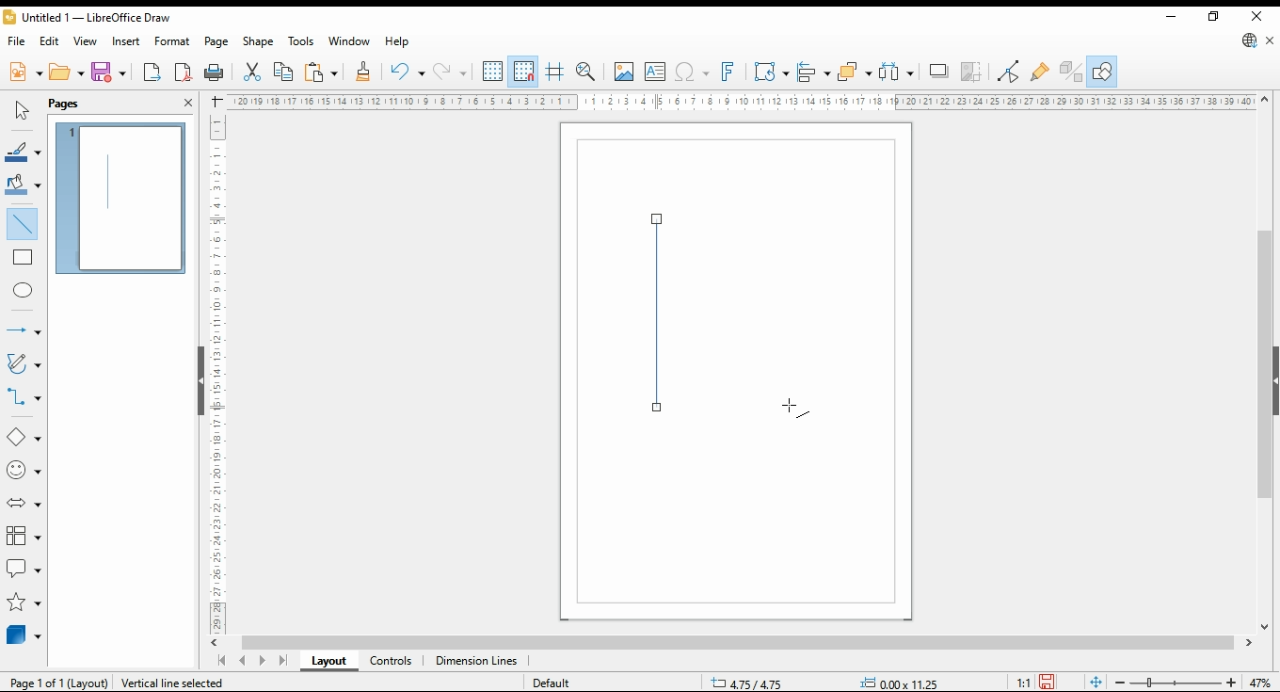  What do you see at coordinates (664, 313) in the screenshot?
I see `new shape` at bounding box center [664, 313].